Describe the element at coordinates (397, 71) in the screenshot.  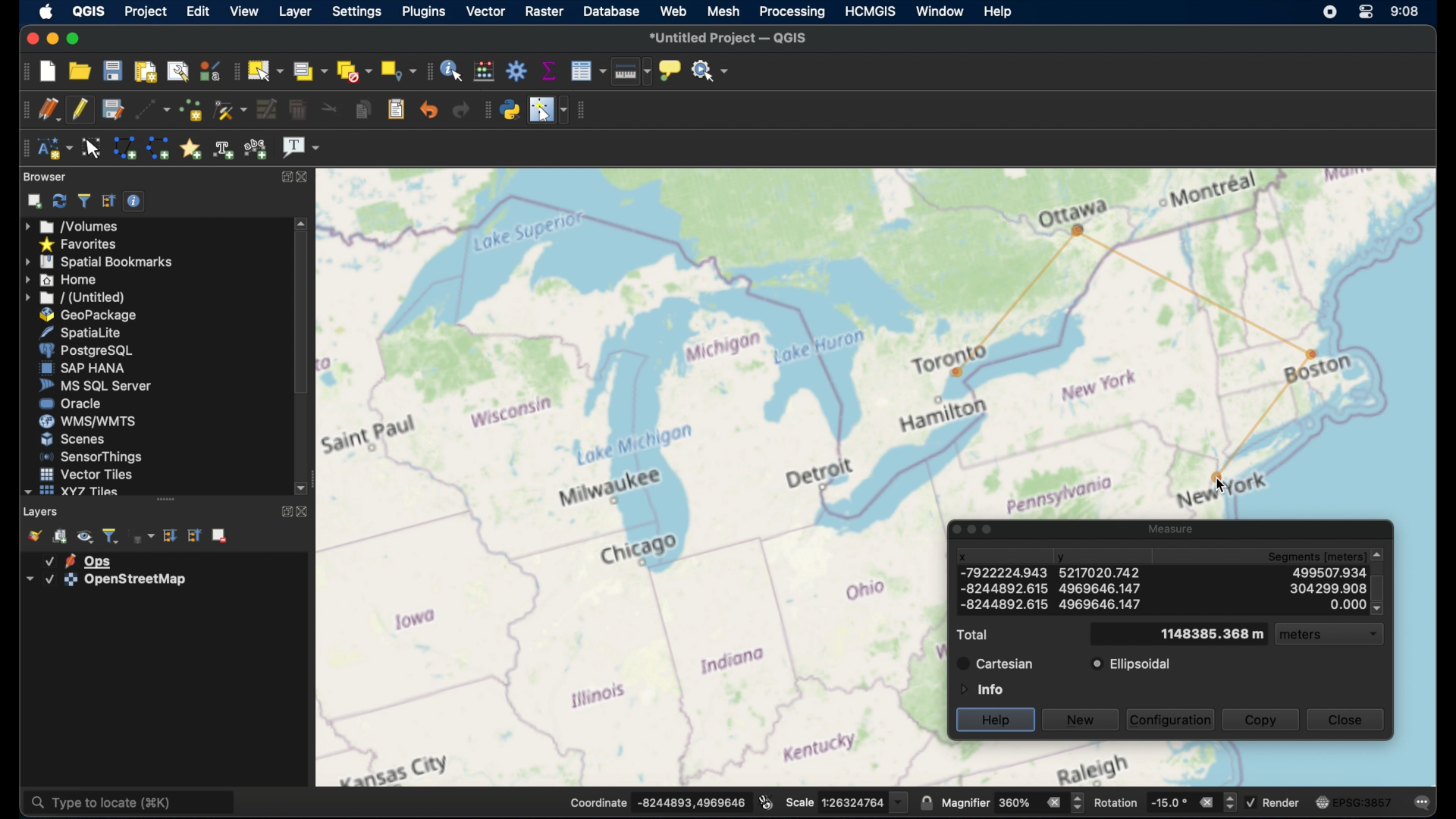
I see `select by location` at that location.